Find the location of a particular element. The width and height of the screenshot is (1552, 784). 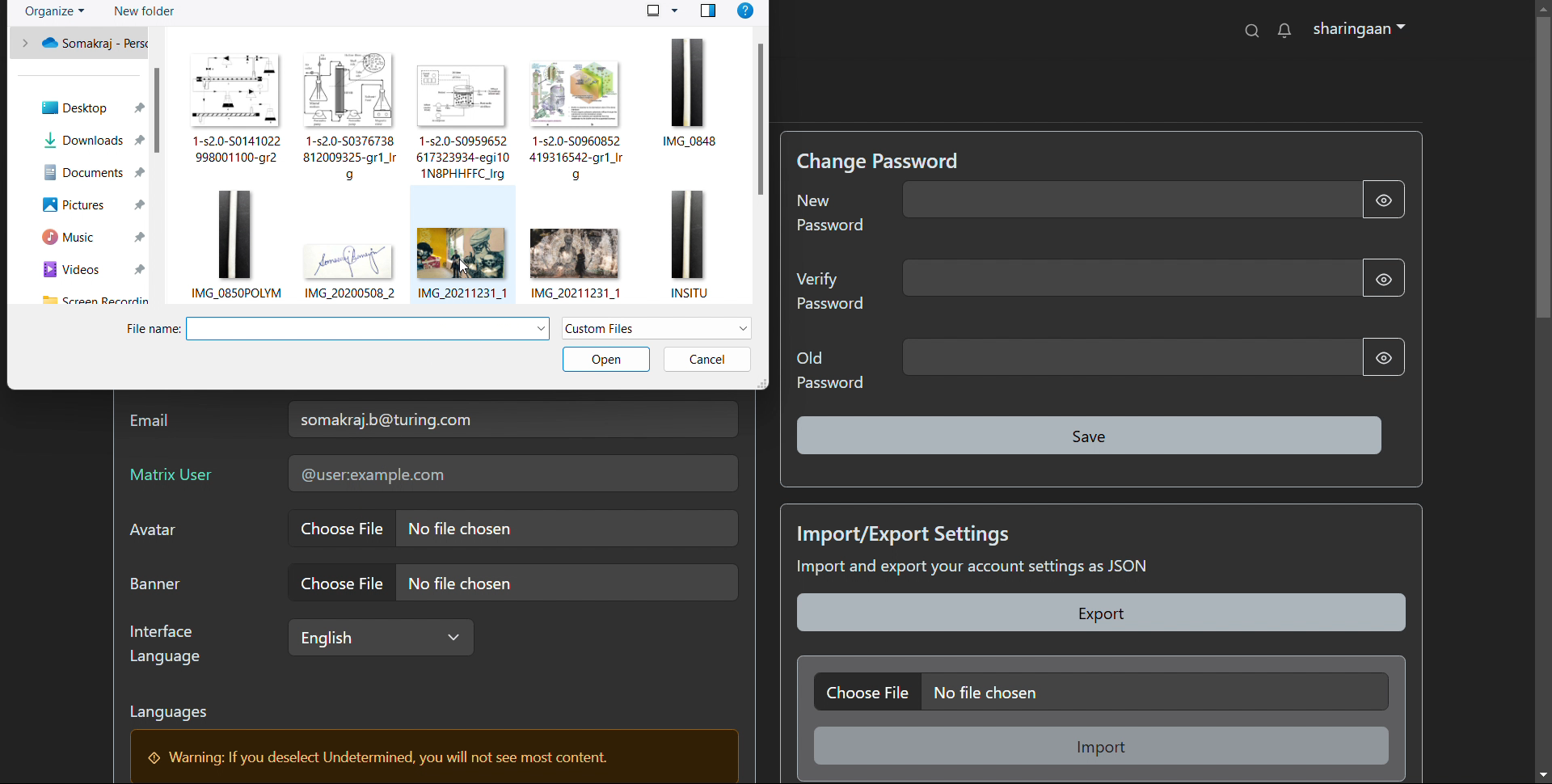

scrollbar is located at coordinates (759, 119).